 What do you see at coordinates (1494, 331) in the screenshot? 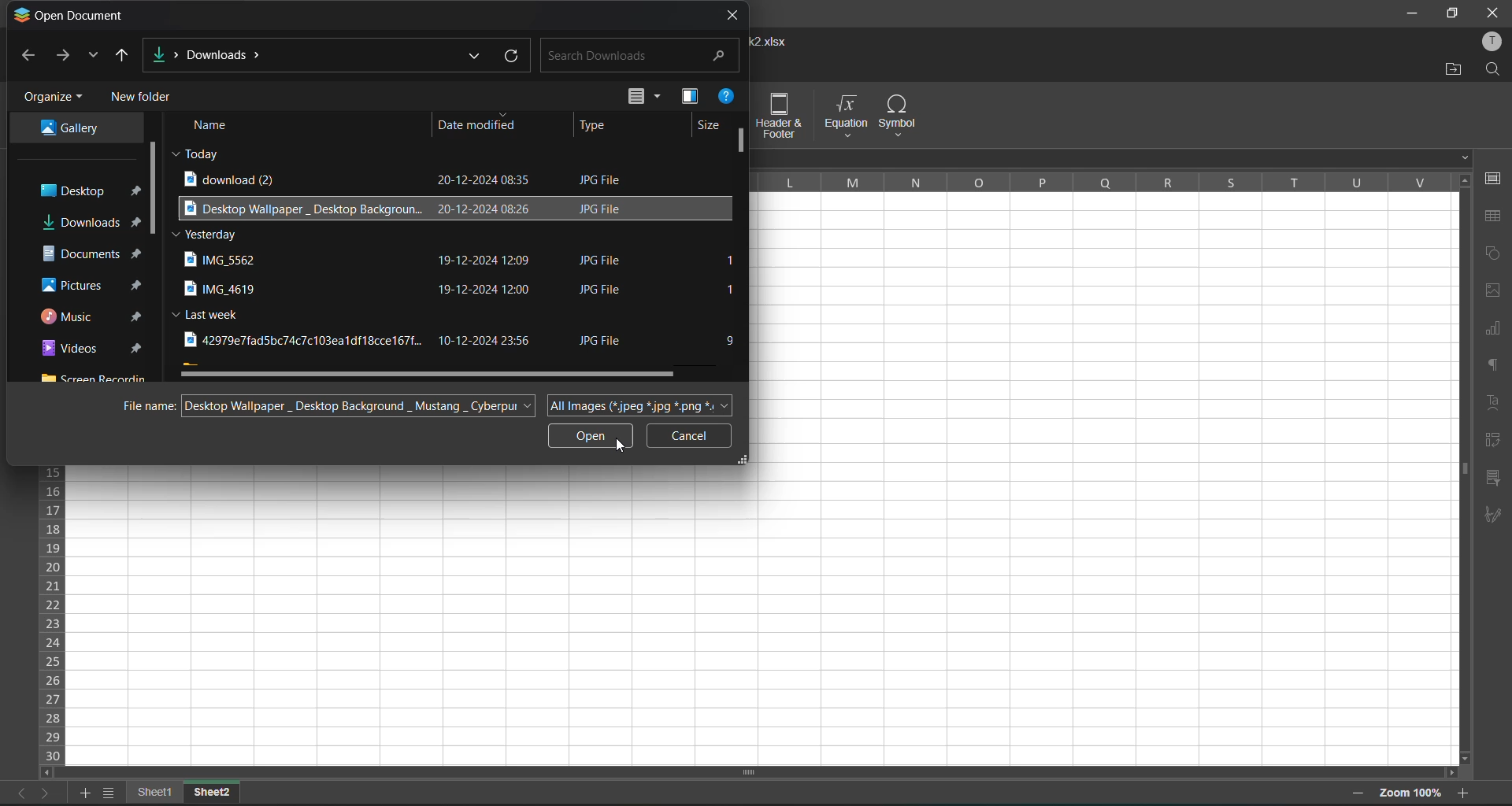
I see `charts` at bounding box center [1494, 331].